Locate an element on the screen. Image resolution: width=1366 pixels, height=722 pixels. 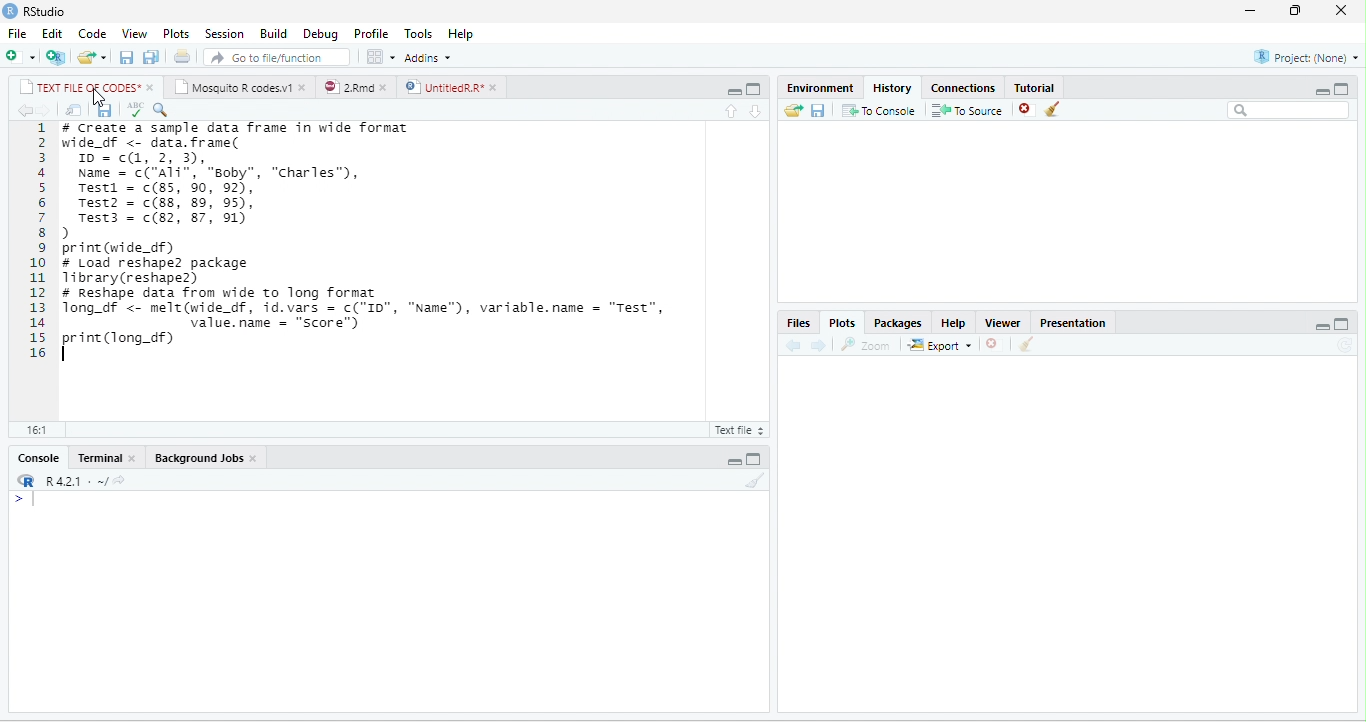
close is located at coordinates (496, 88).